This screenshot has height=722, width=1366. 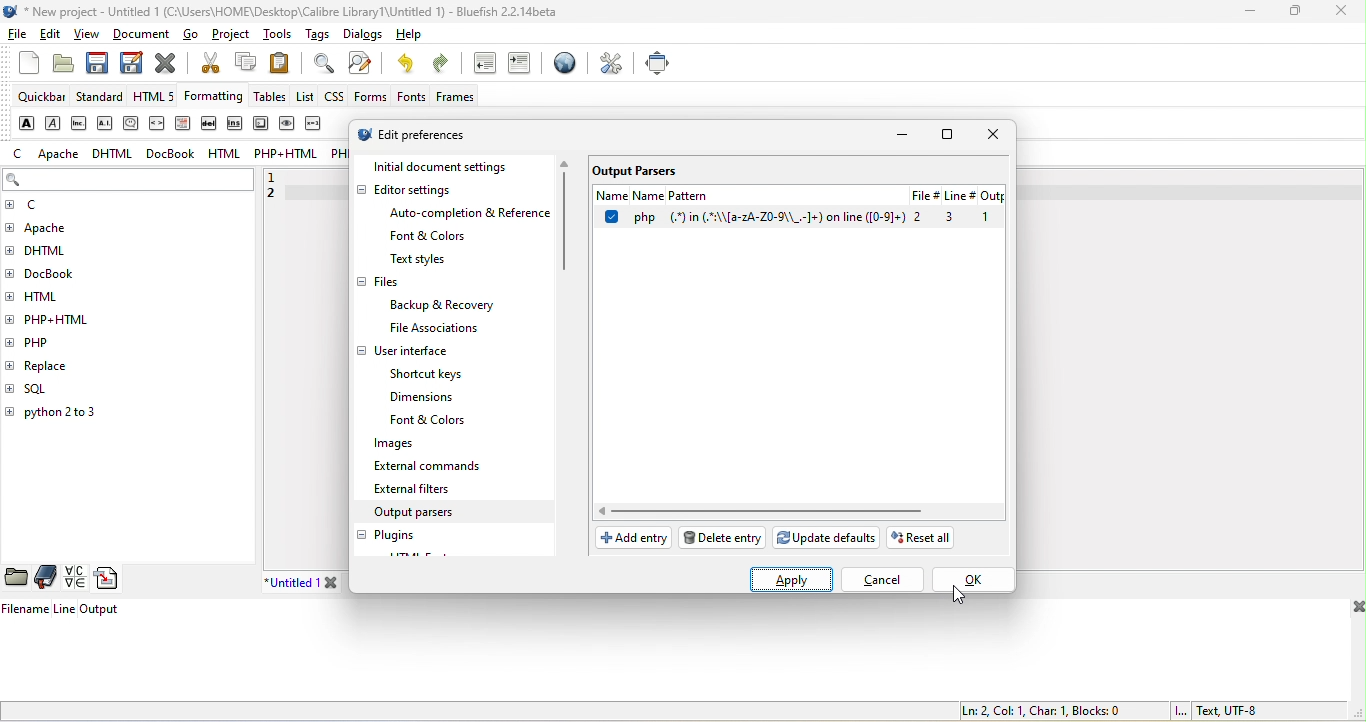 I want to click on cursor movement, so click(x=958, y=594).